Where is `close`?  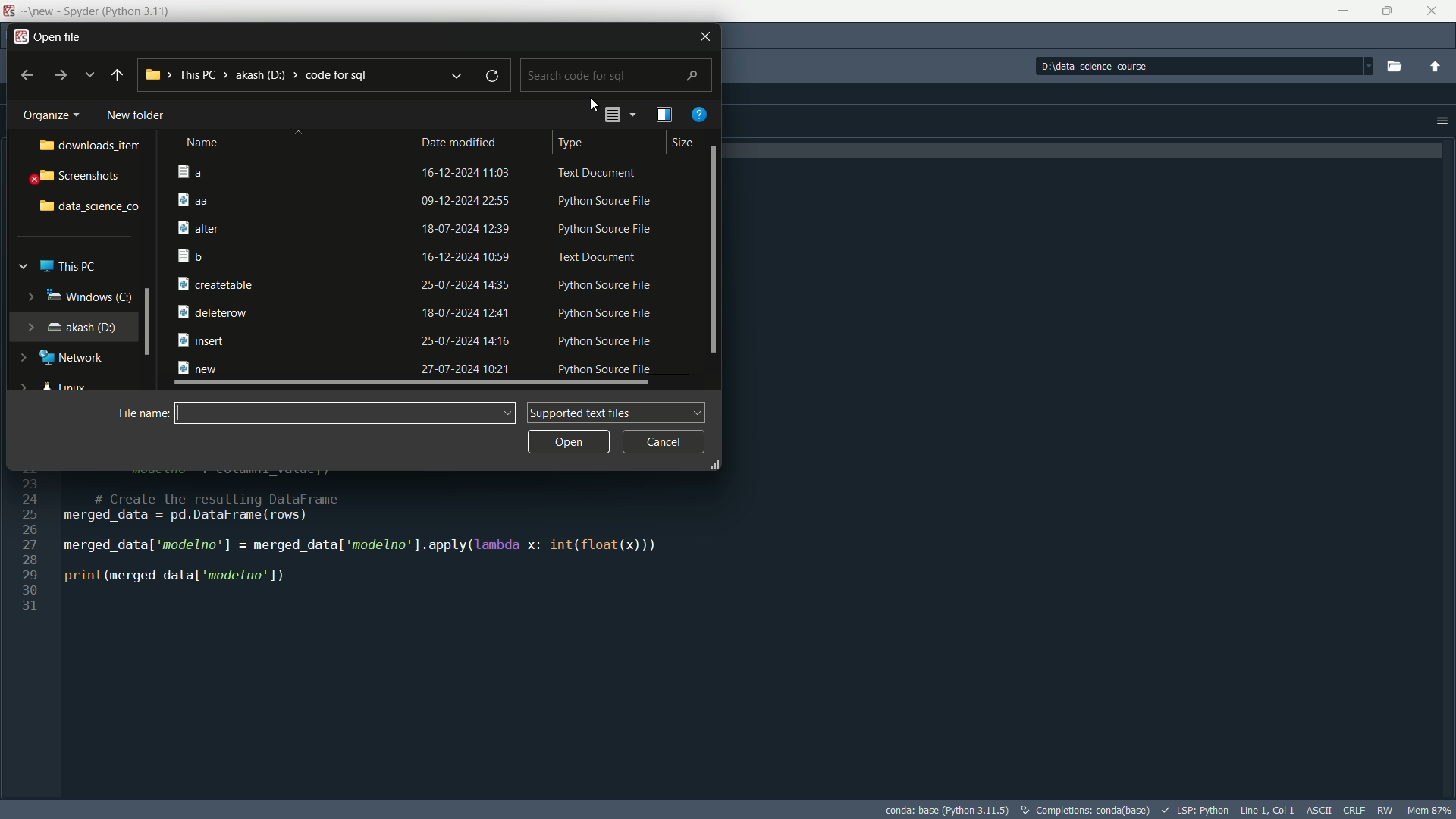
close is located at coordinates (1435, 11).